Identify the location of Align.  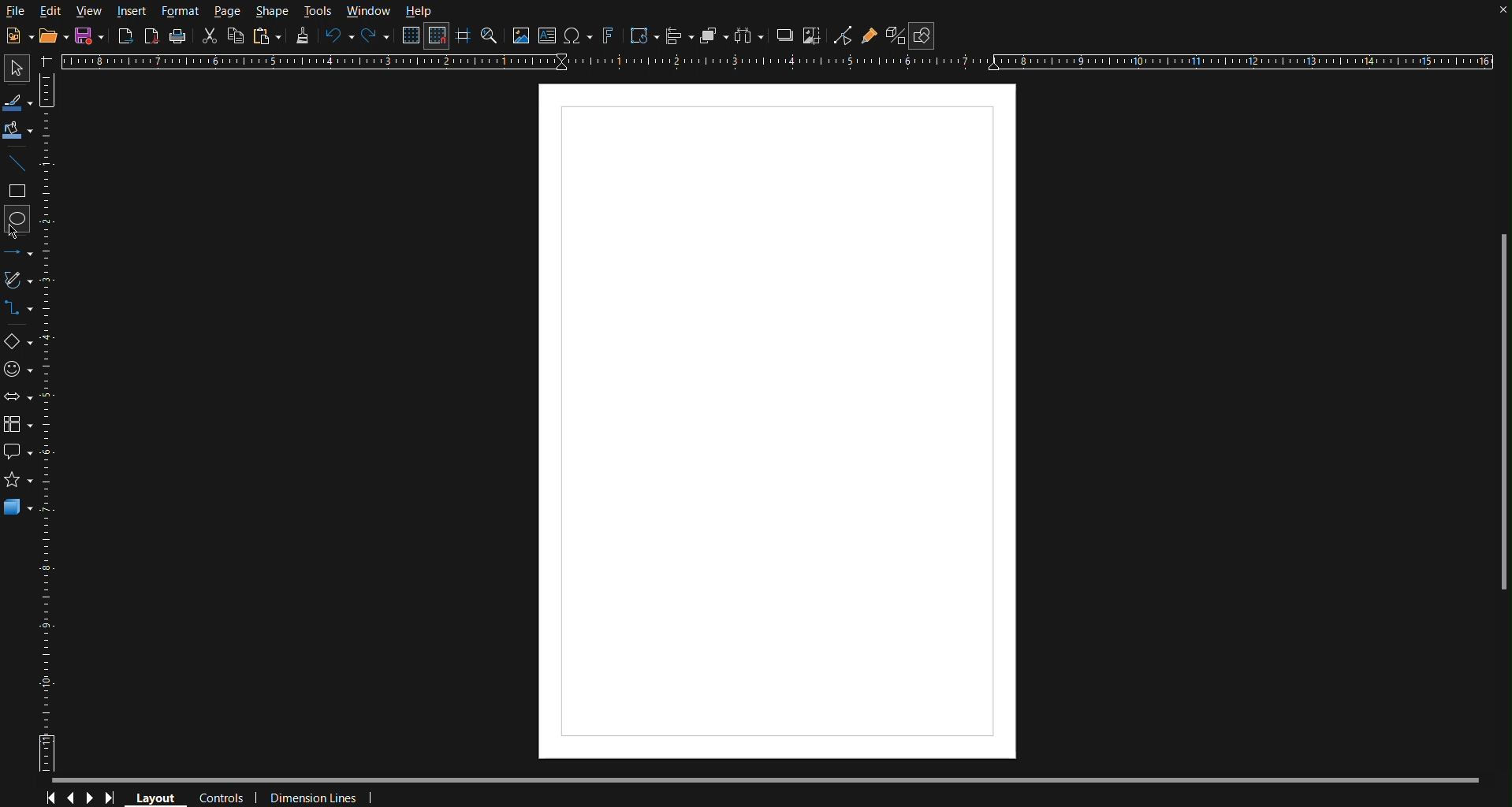
(679, 35).